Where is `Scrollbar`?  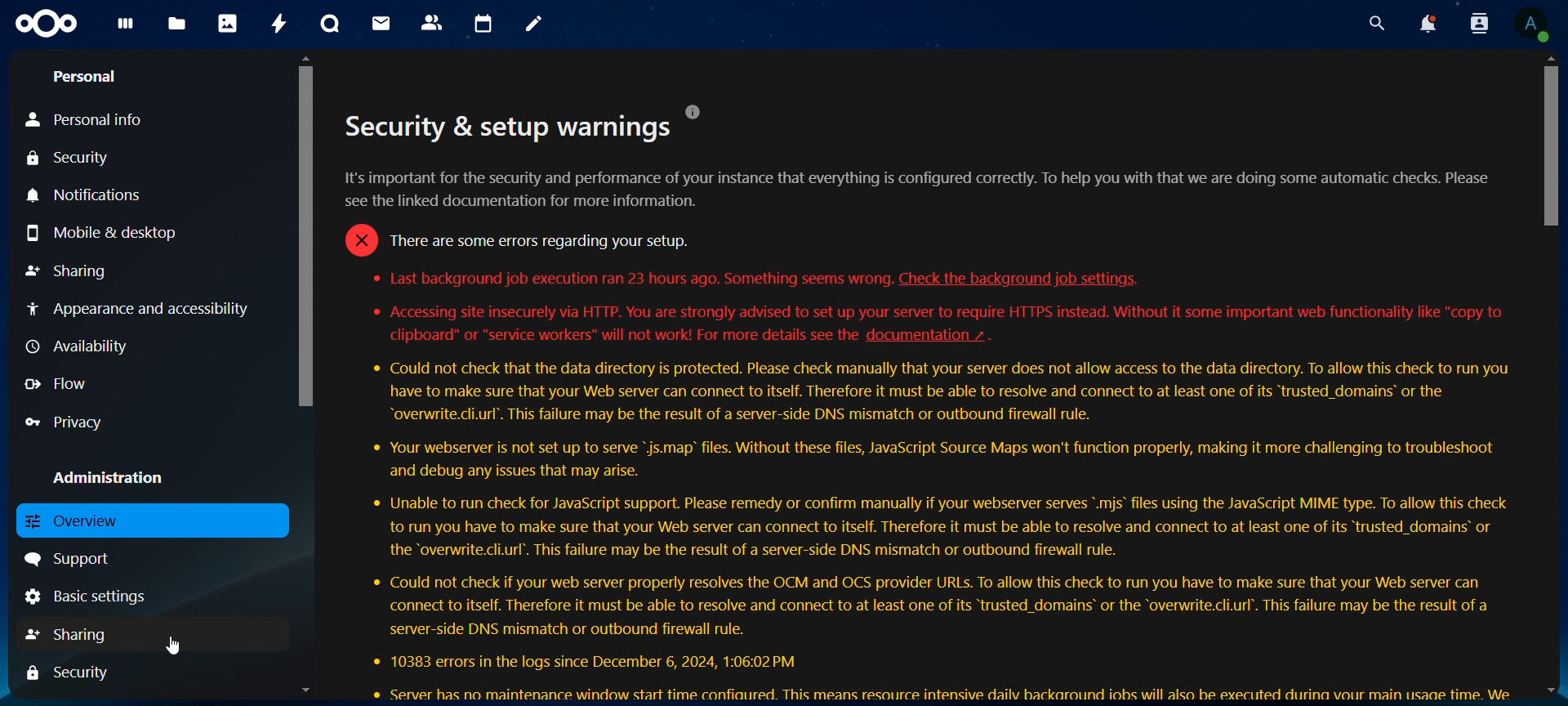
Scrollbar is located at coordinates (305, 375).